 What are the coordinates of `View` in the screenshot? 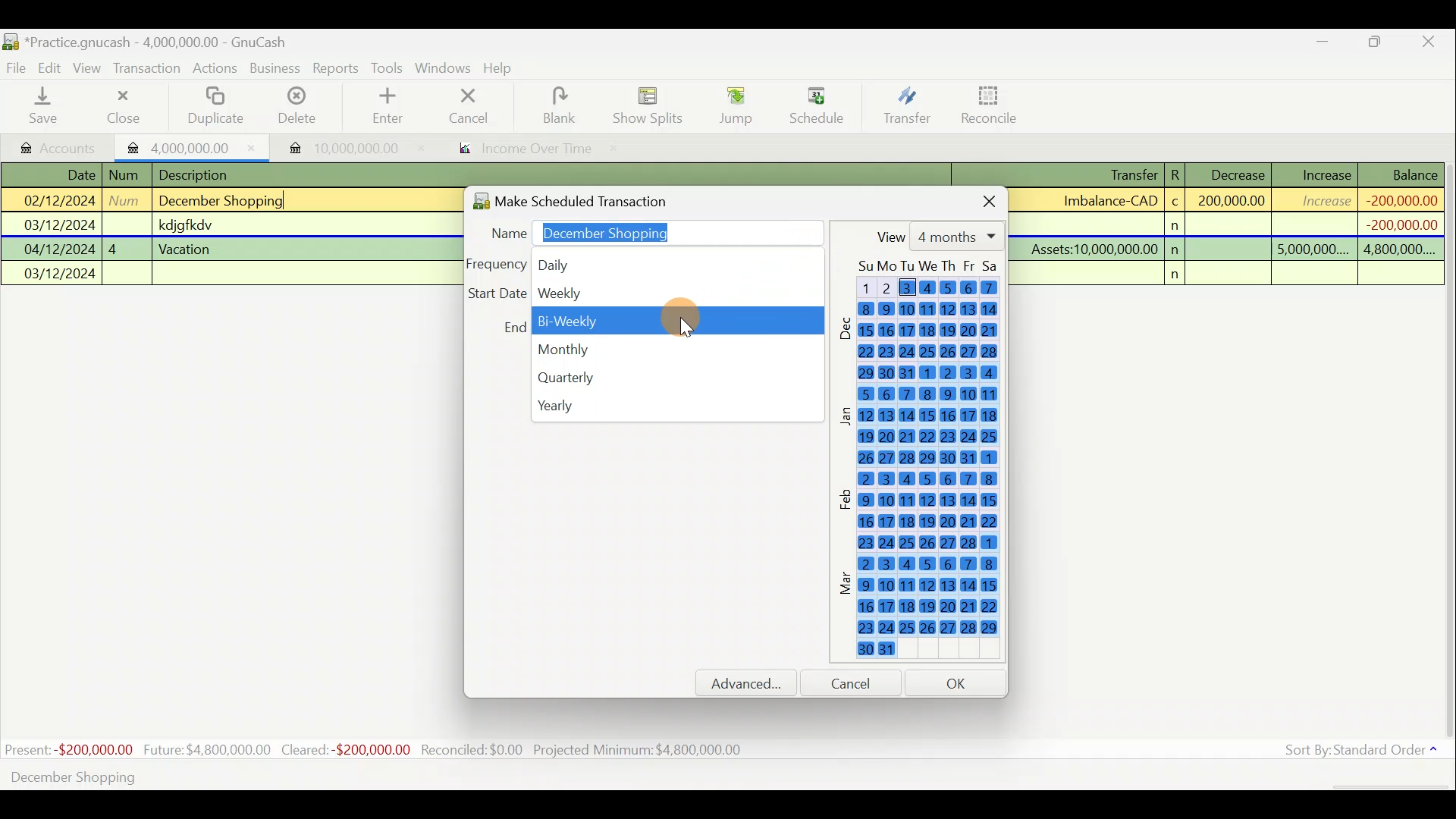 It's located at (937, 236).